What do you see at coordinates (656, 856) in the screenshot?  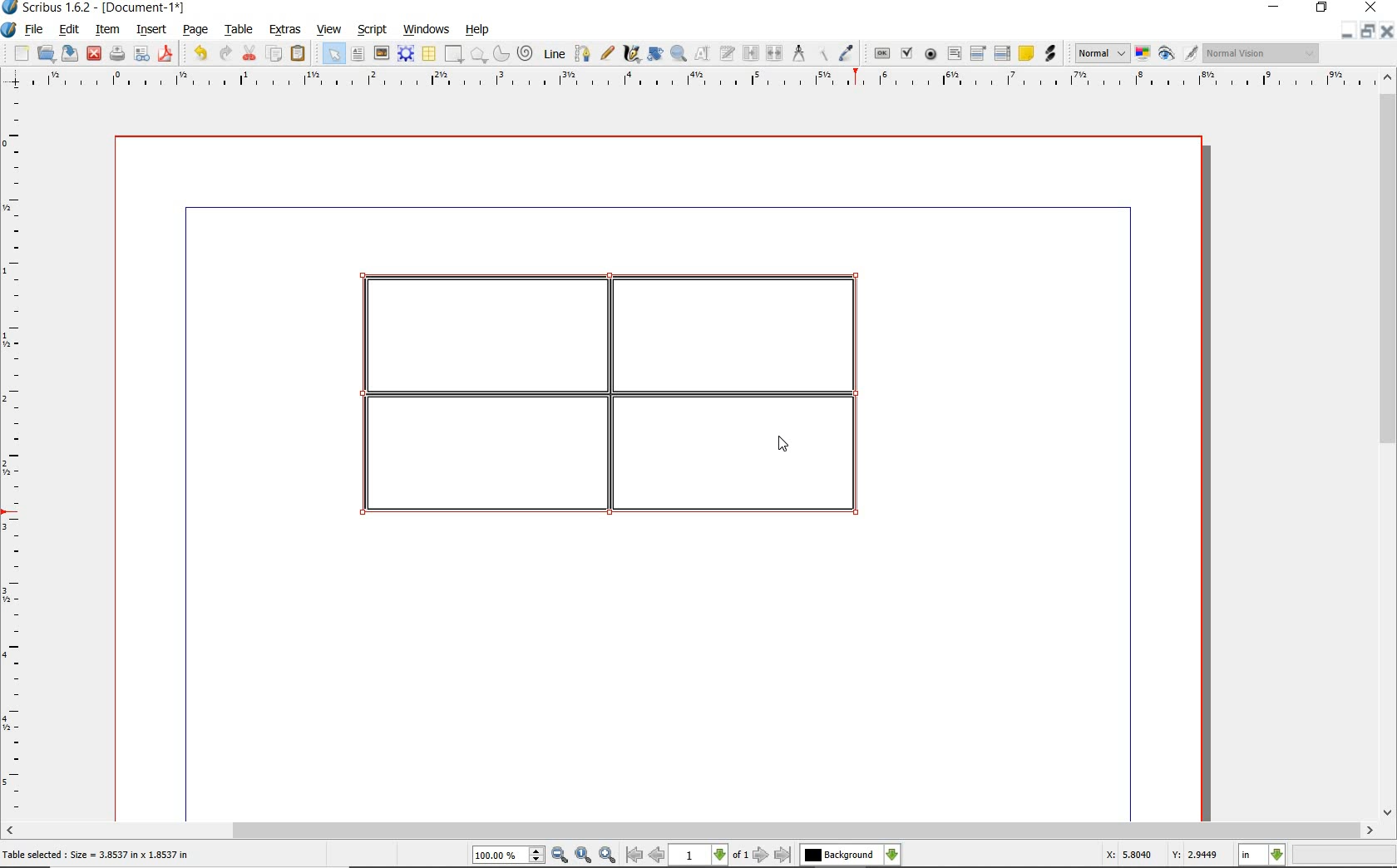 I see `go to previous page` at bounding box center [656, 856].